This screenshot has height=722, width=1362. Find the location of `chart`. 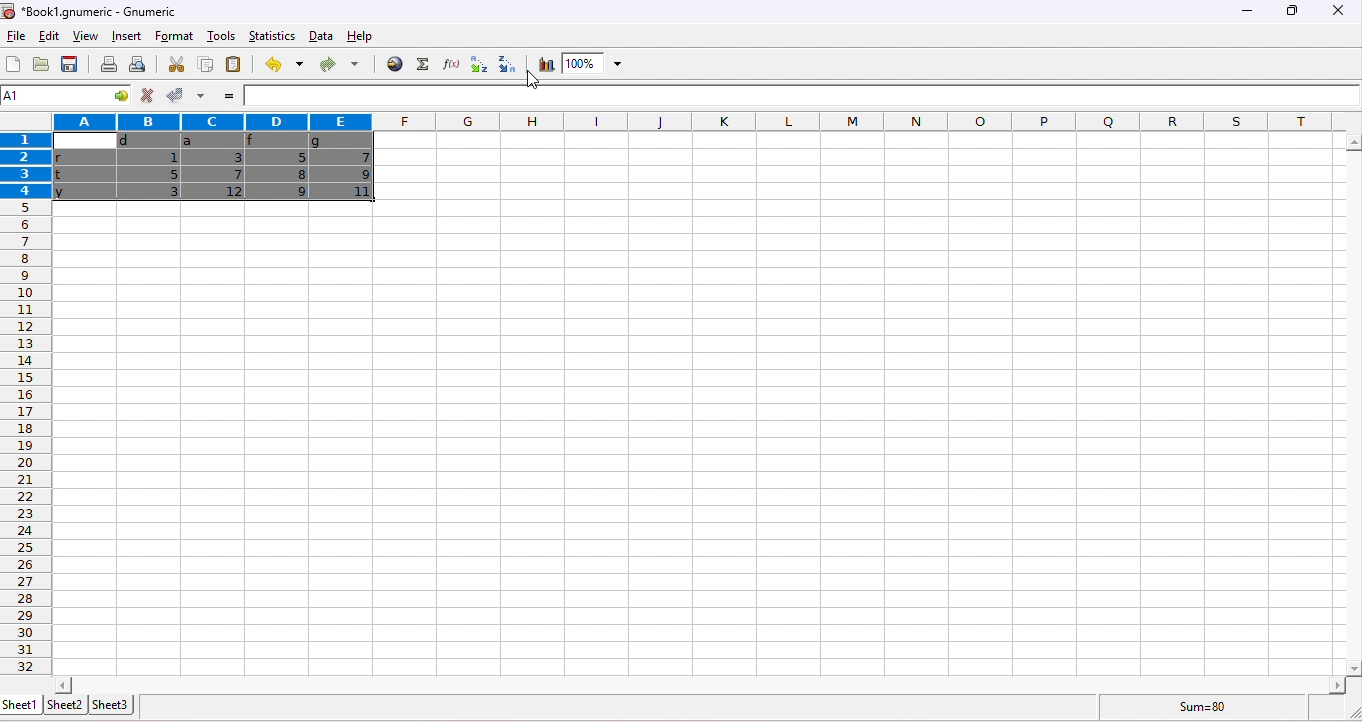

chart is located at coordinates (543, 64).